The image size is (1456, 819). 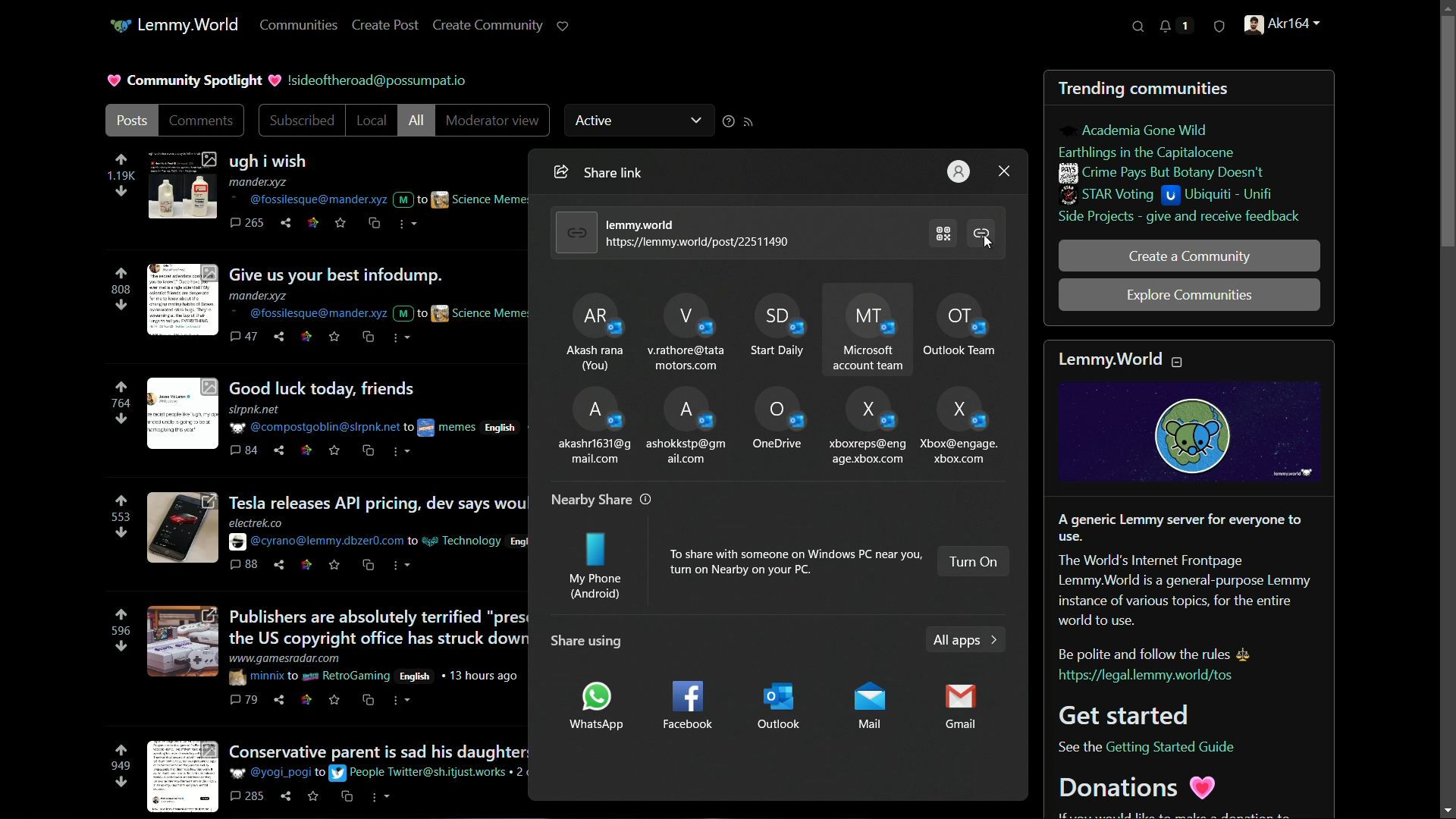 What do you see at coordinates (489, 26) in the screenshot?
I see `create community` at bounding box center [489, 26].